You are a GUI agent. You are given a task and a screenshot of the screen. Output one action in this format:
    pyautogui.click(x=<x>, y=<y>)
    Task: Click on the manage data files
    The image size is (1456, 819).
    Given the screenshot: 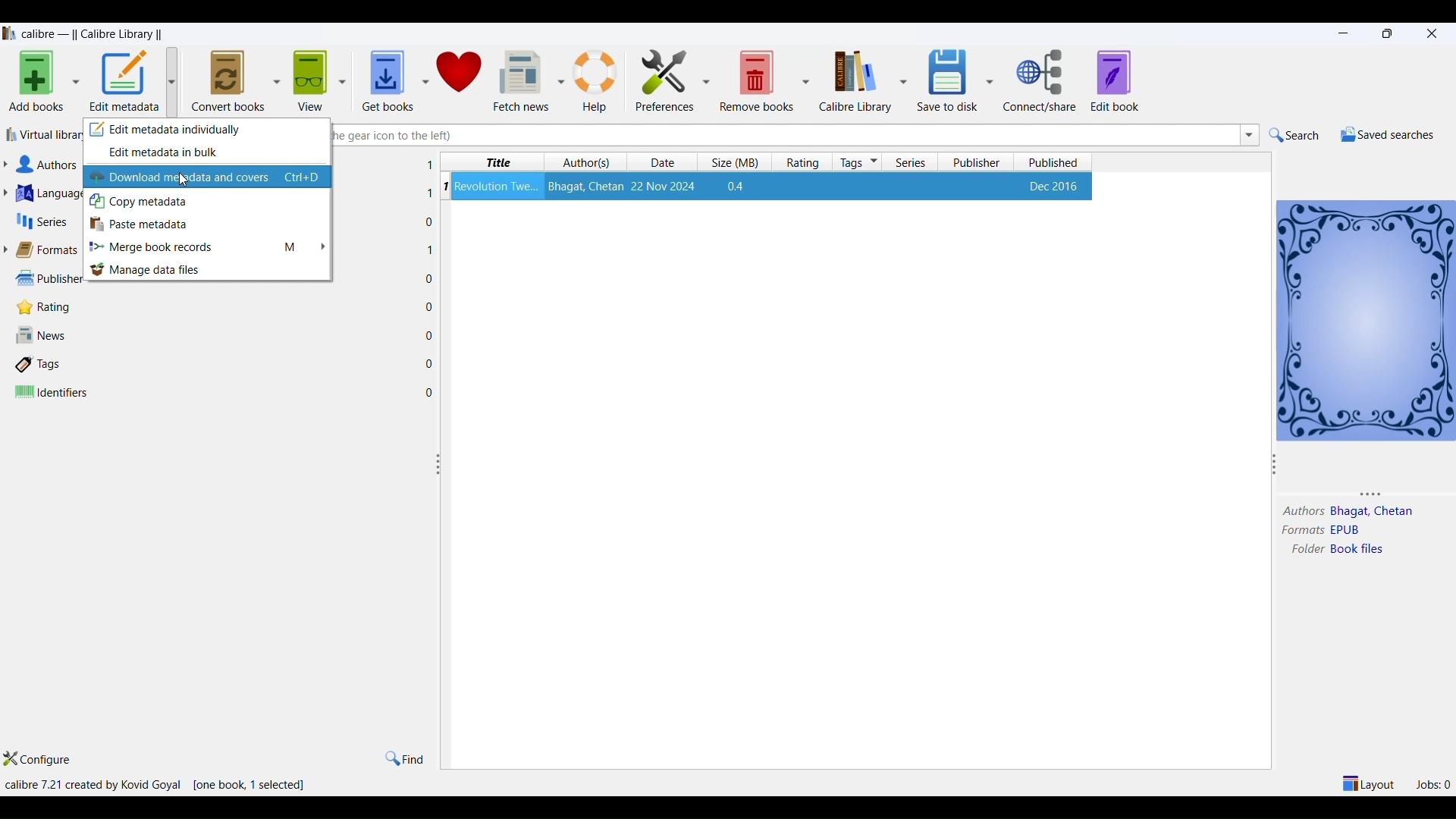 What is the action you would take?
    pyautogui.click(x=210, y=270)
    